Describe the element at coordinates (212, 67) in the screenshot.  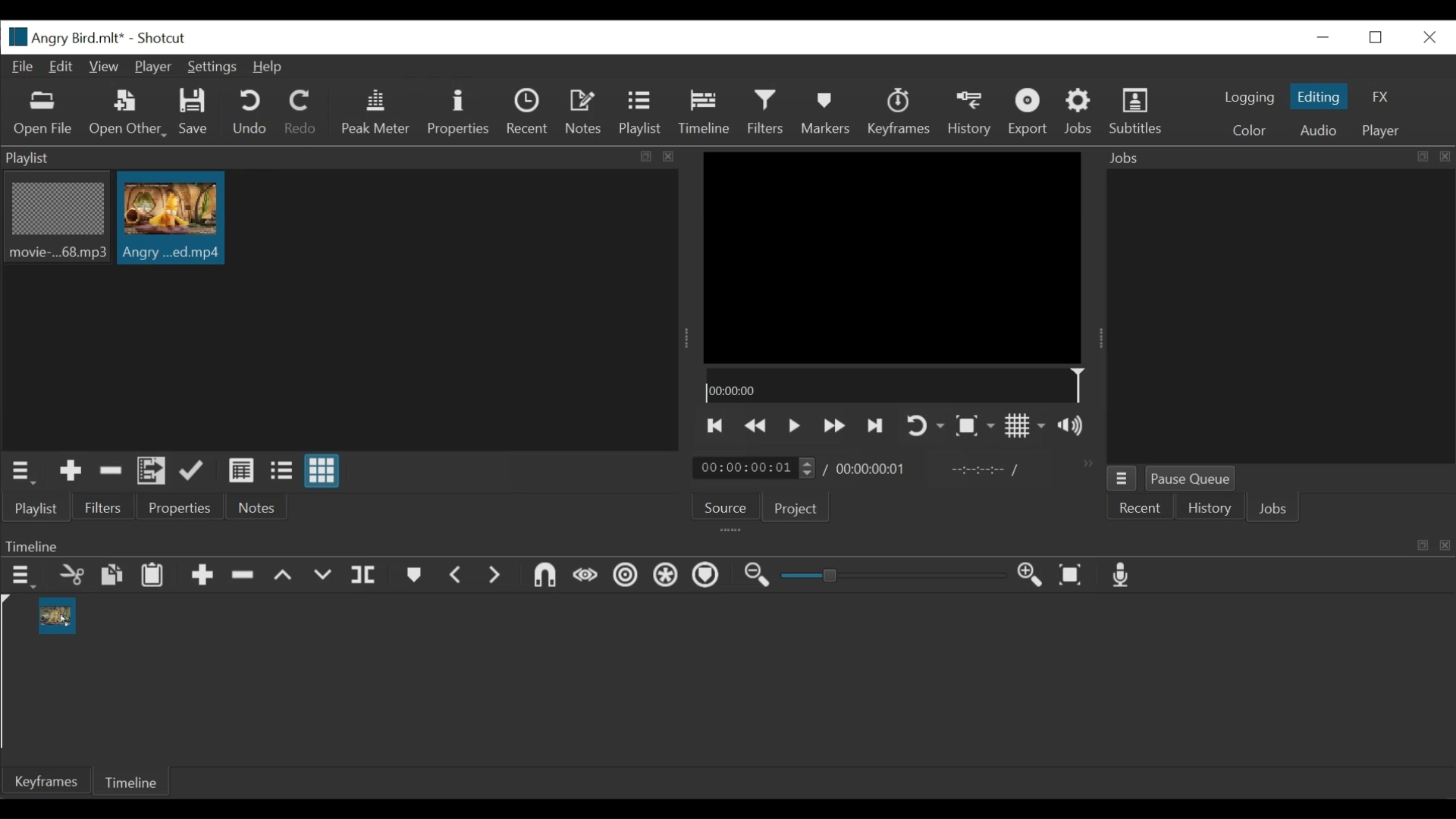
I see `Settings` at that location.